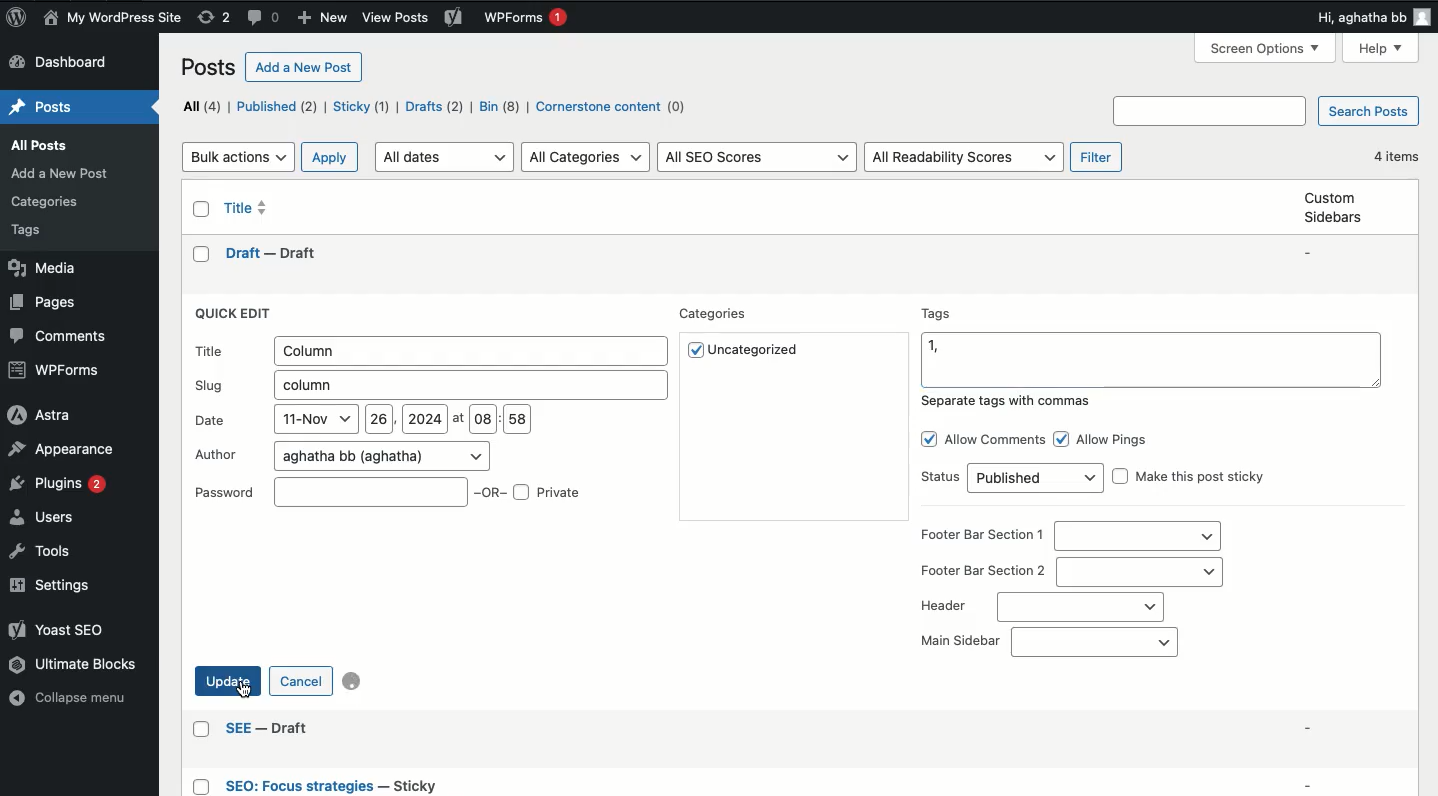  Describe the element at coordinates (1069, 571) in the screenshot. I see `Footer bar section 2` at that location.